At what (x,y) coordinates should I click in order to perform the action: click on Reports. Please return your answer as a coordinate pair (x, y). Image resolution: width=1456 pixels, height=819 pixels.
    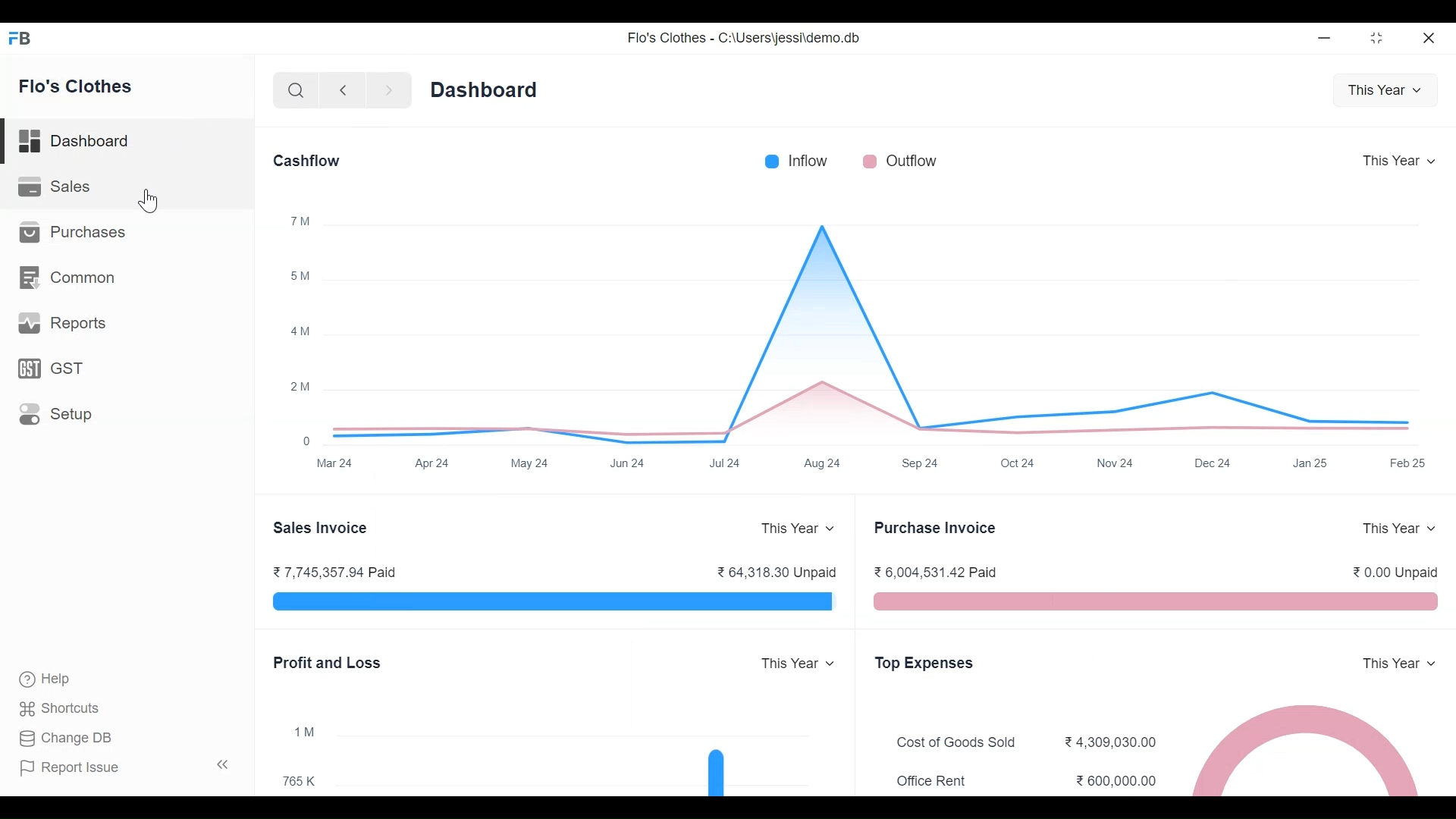
    Looking at the image, I should click on (64, 323).